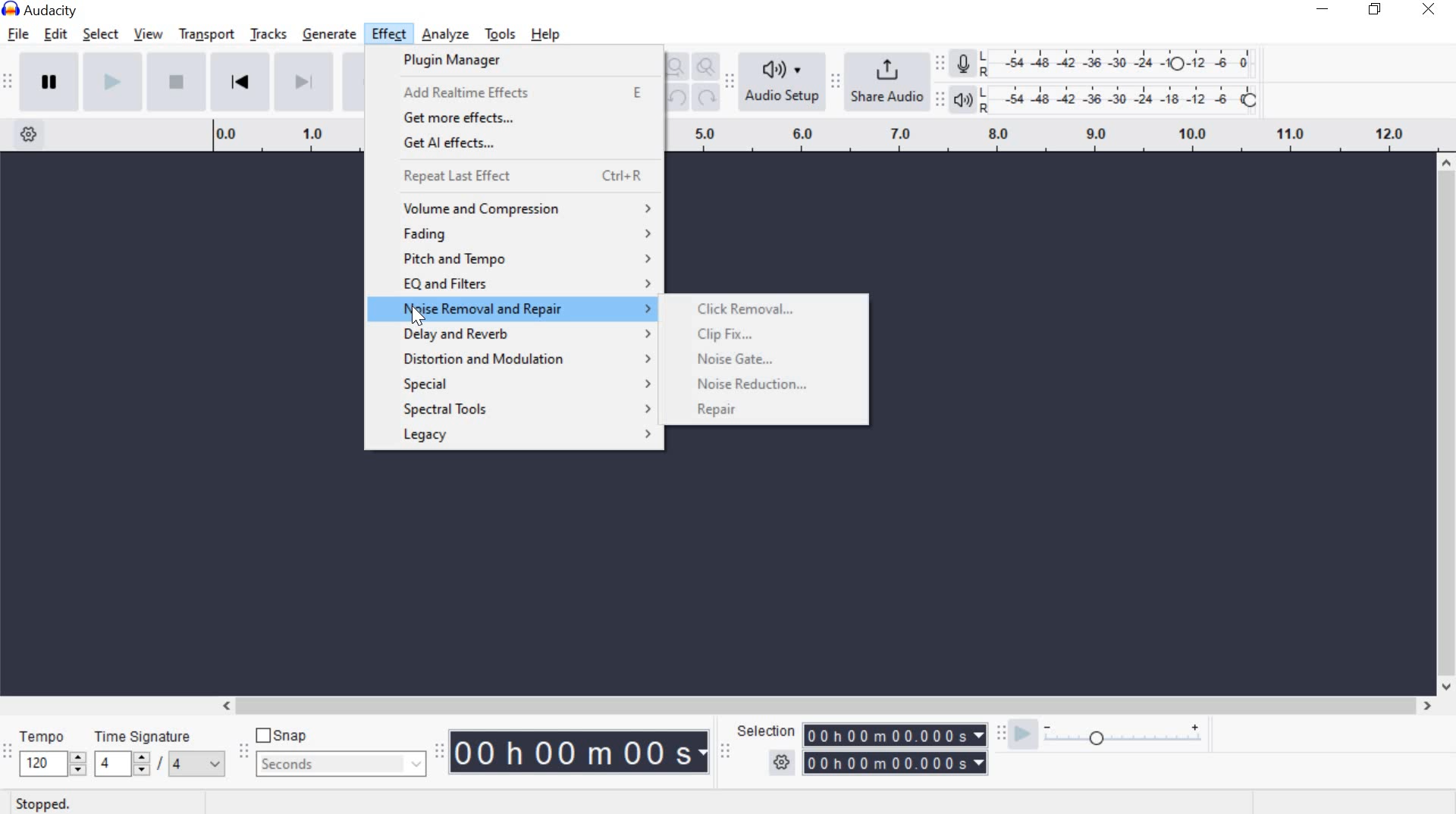 Image resolution: width=1456 pixels, height=814 pixels. Describe the element at coordinates (1373, 8) in the screenshot. I see `restore down` at that location.